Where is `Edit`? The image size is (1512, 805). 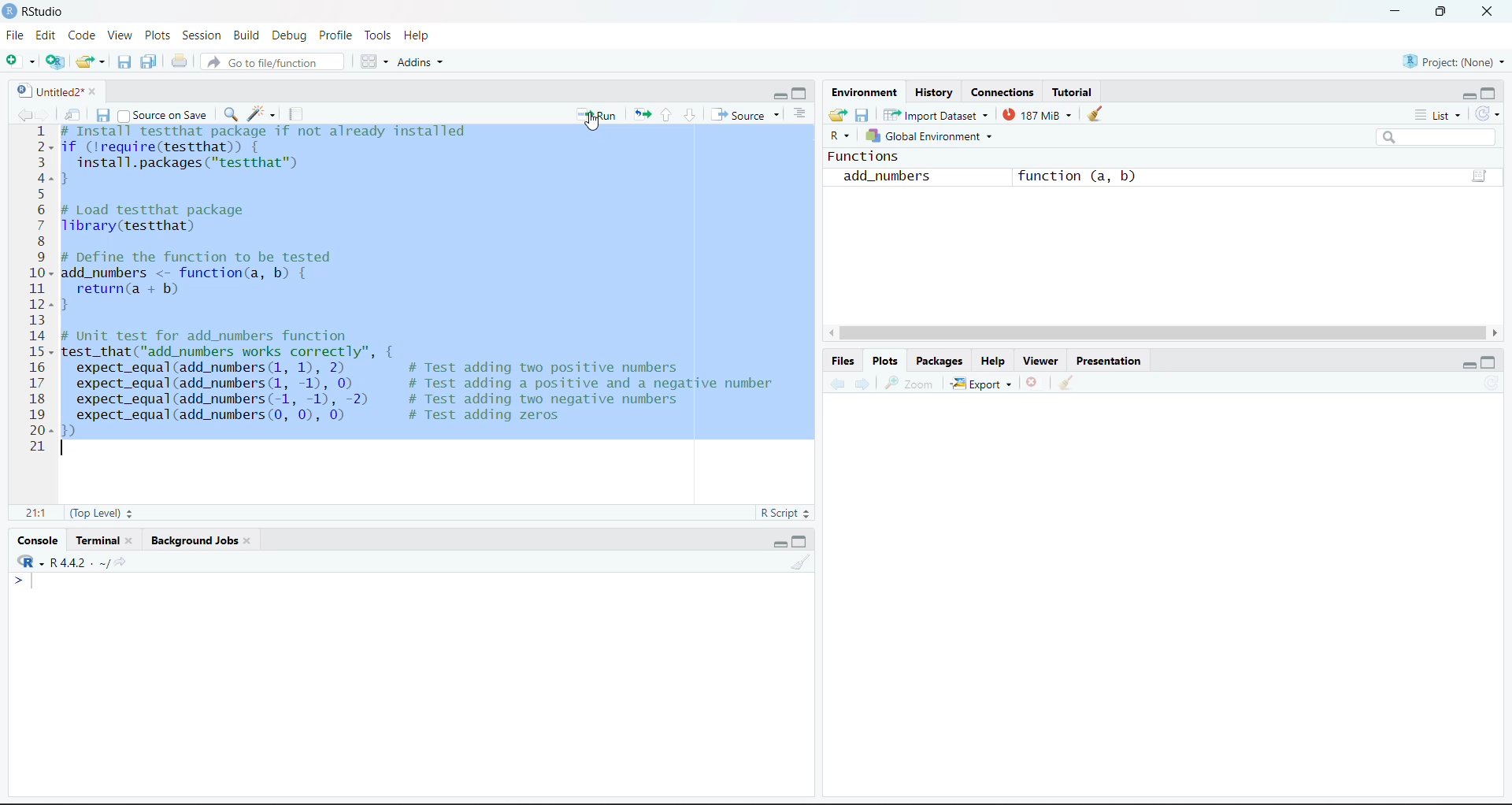
Edit is located at coordinates (47, 33).